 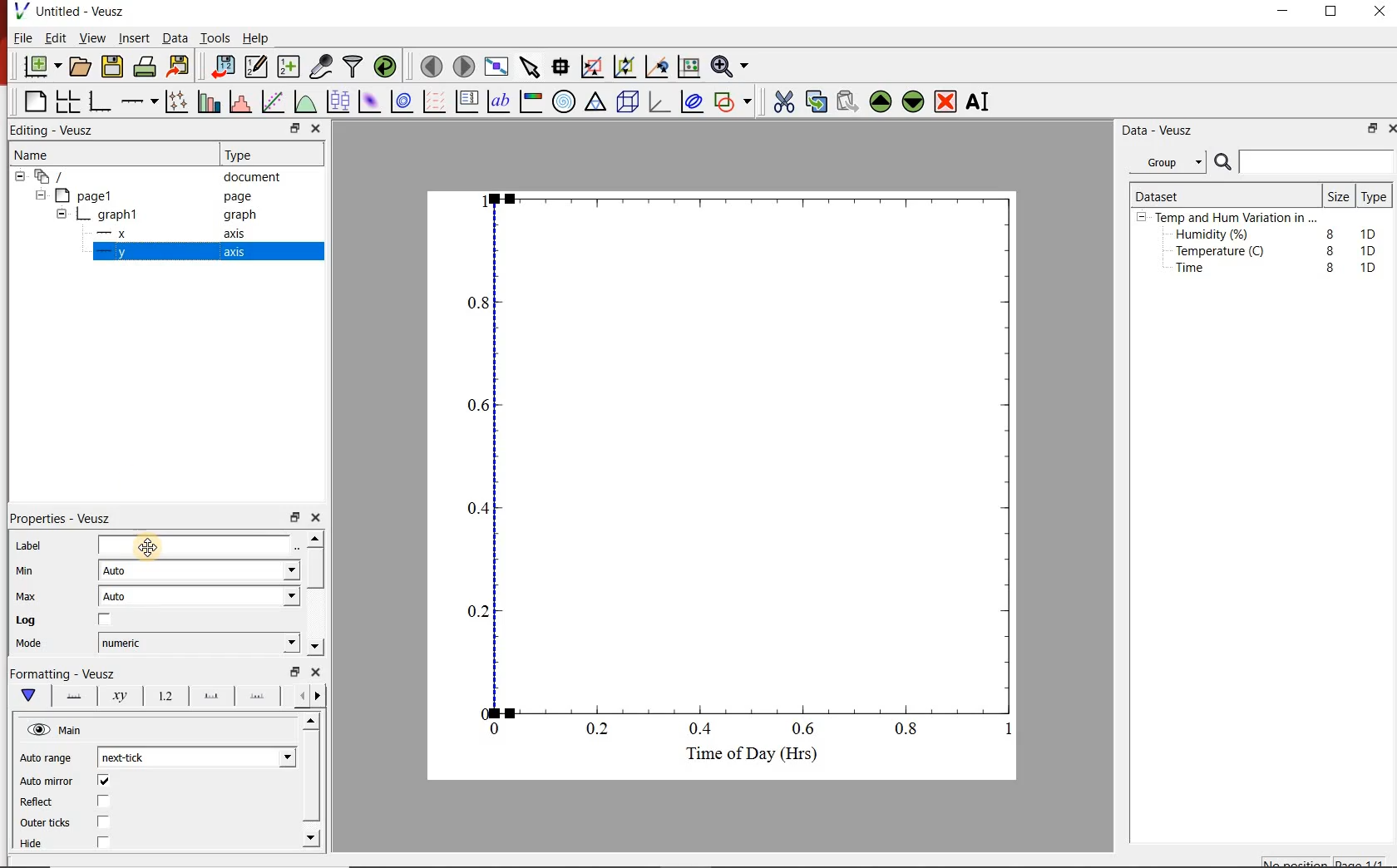 What do you see at coordinates (1365, 861) in the screenshot?
I see `page1/1` at bounding box center [1365, 861].